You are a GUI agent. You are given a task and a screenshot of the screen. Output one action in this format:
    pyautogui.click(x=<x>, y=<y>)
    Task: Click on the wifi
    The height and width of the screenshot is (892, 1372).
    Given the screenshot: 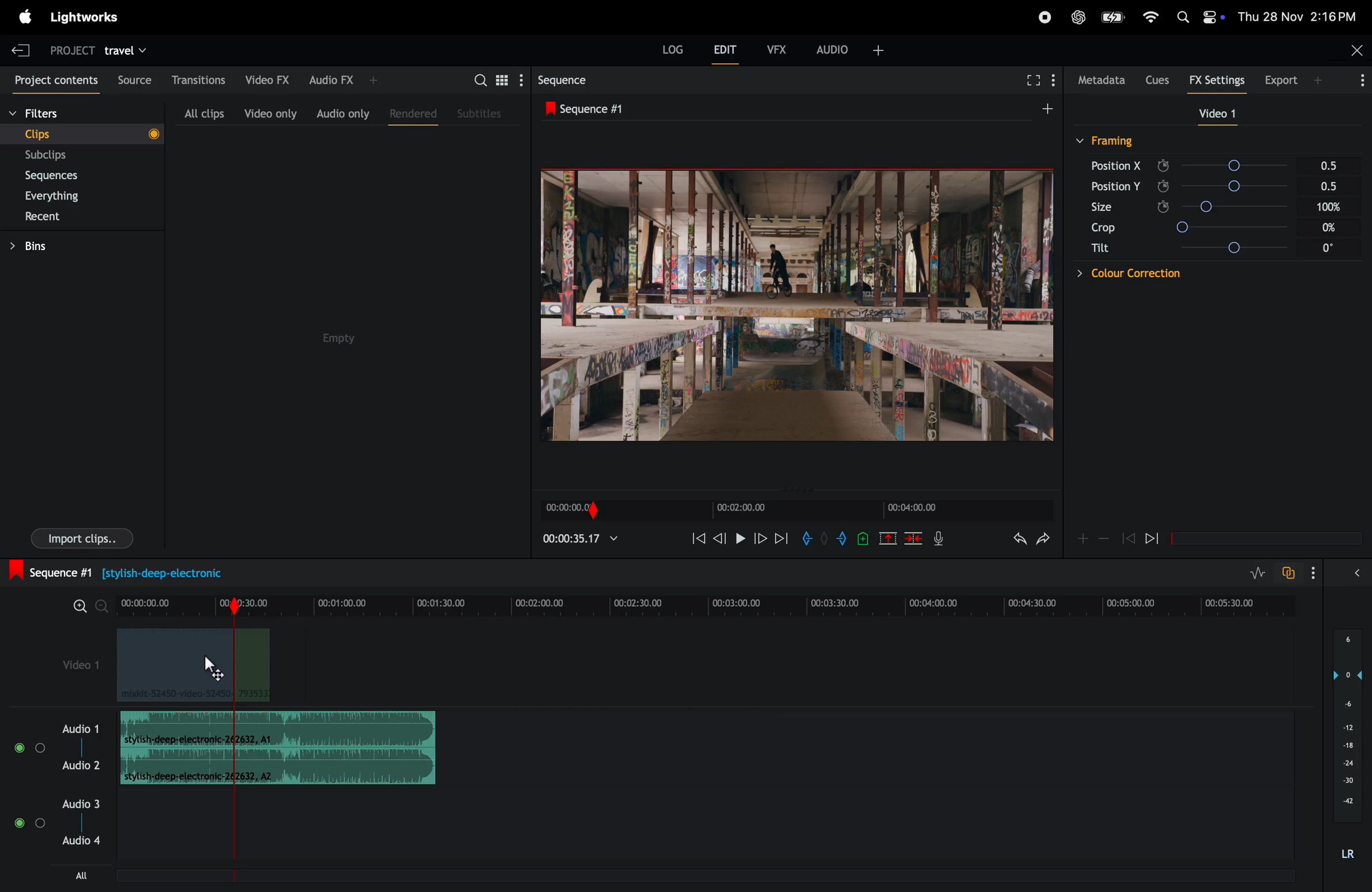 What is the action you would take?
    pyautogui.click(x=1148, y=17)
    